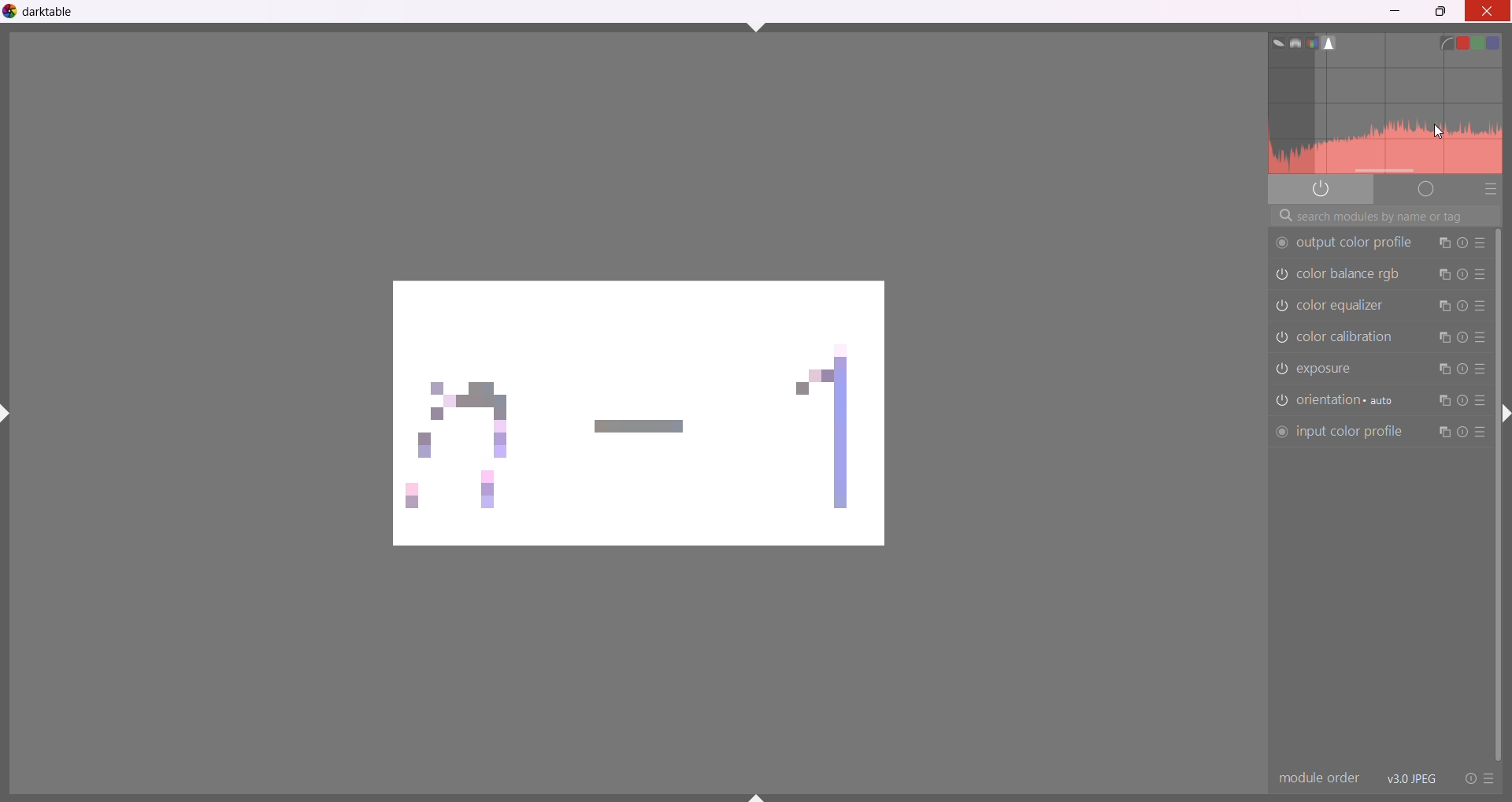 The width and height of the screenshot is (1512, 802). I want to click on linear, so click(1447, 42).